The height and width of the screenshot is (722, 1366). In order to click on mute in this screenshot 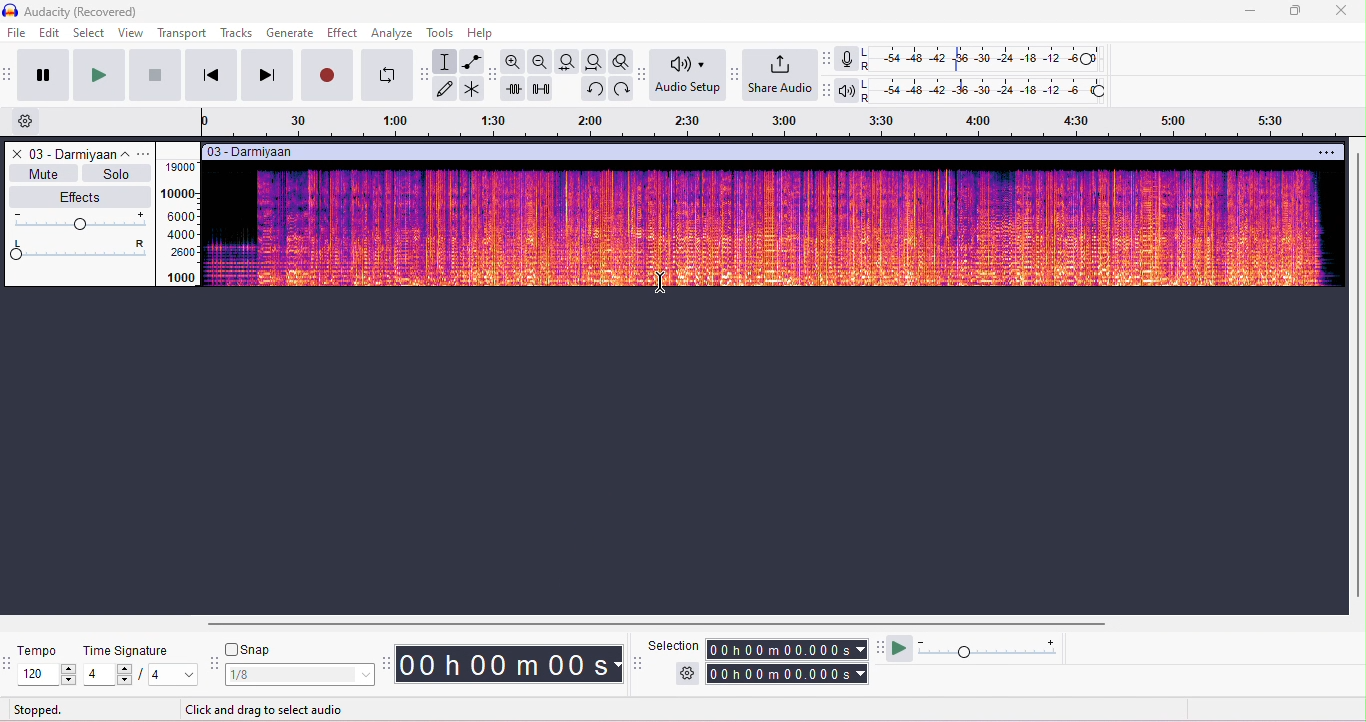, I will do `click(42, 173)`.